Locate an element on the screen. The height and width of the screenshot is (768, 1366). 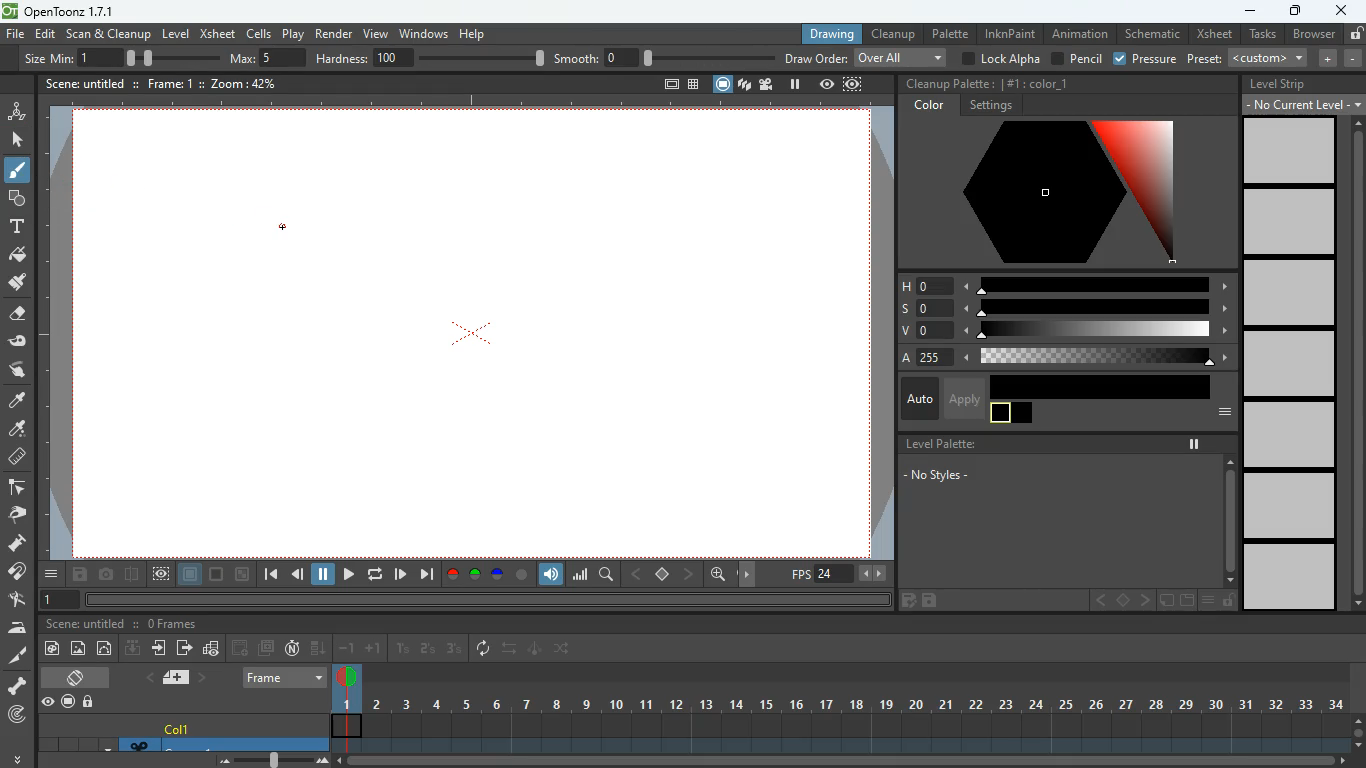
windows is located at coordinates (423, 31).